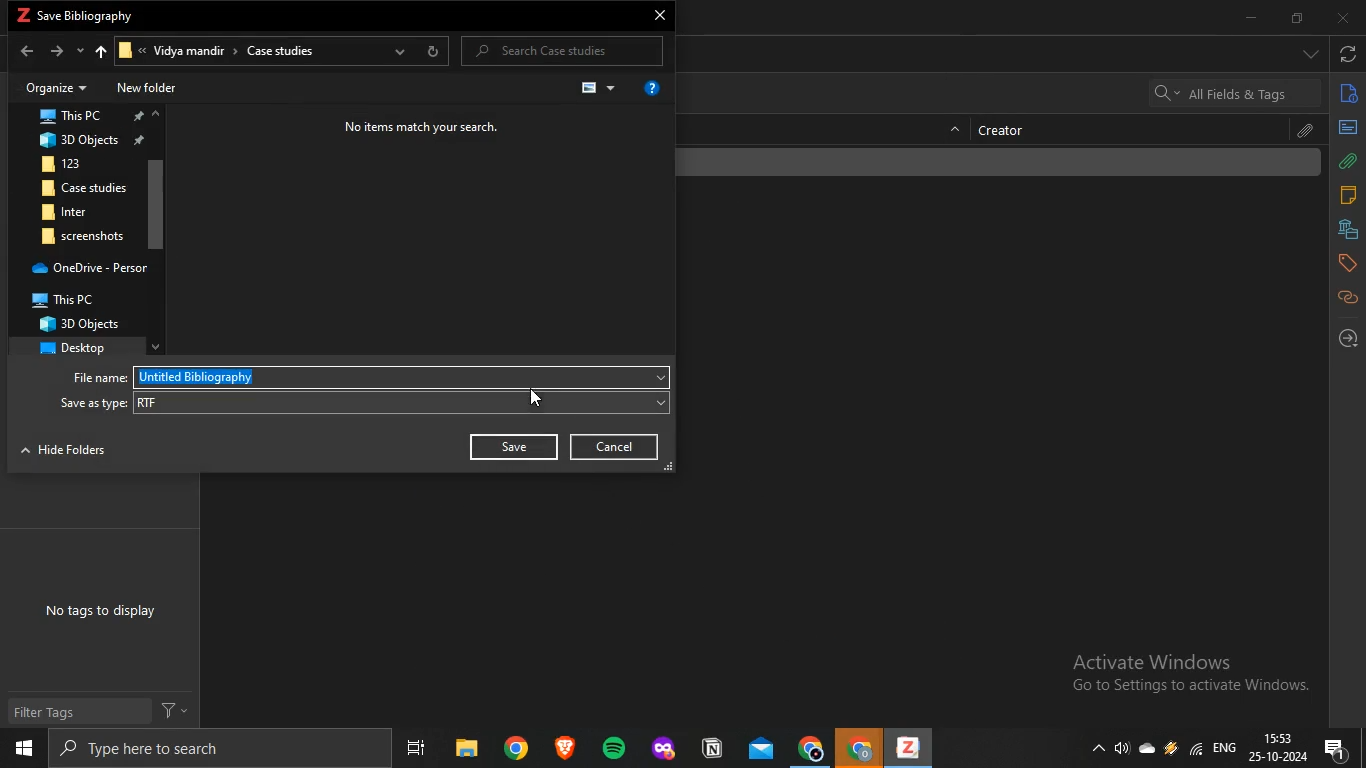 The image size is (1366, 768). What do you see at coordinates (1171, 747) in the screenshot?
I see `drive` at bounding box center [1171, 747].